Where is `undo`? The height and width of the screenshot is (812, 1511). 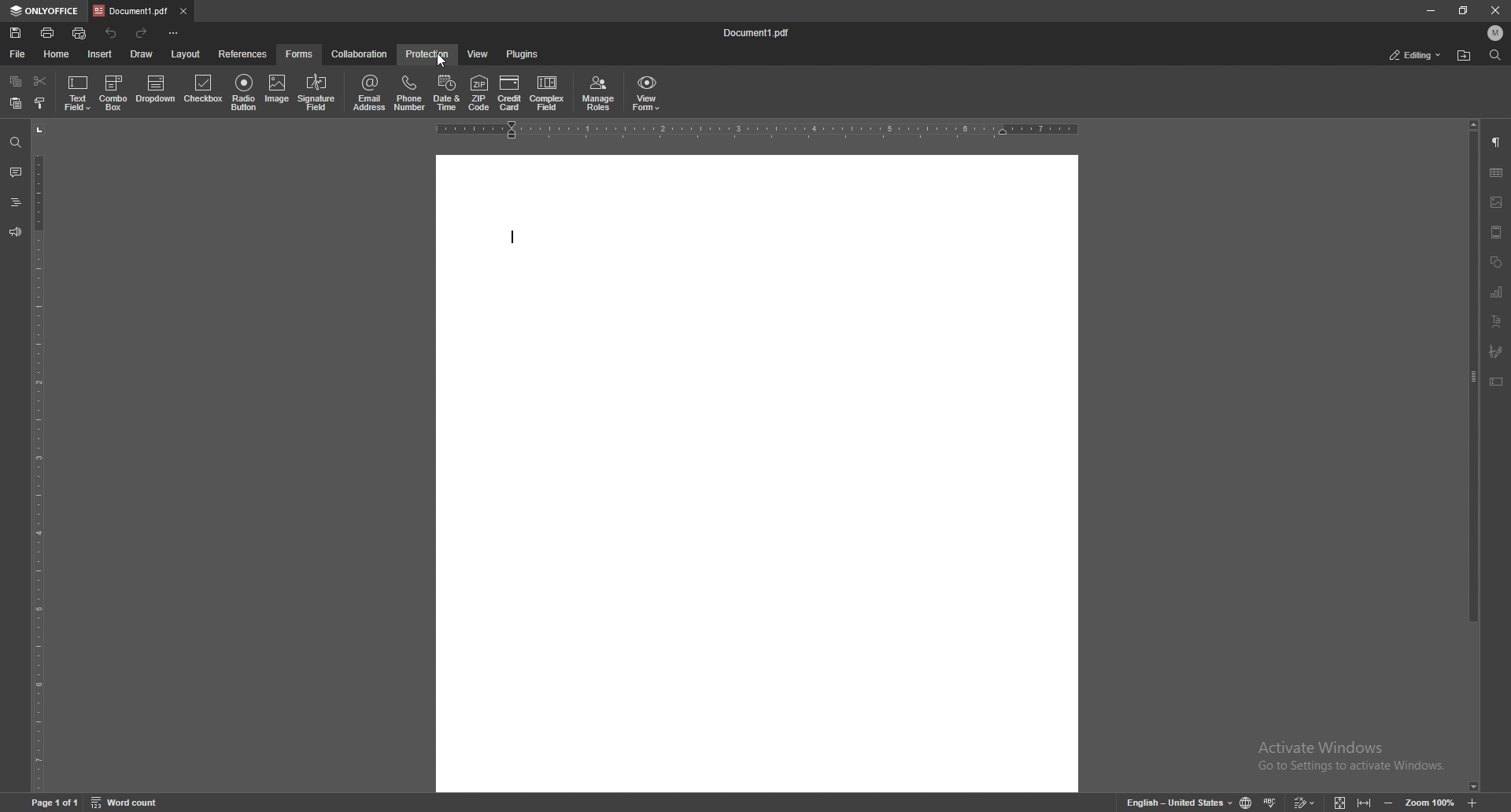 undo is located at coordinates (112, 34).